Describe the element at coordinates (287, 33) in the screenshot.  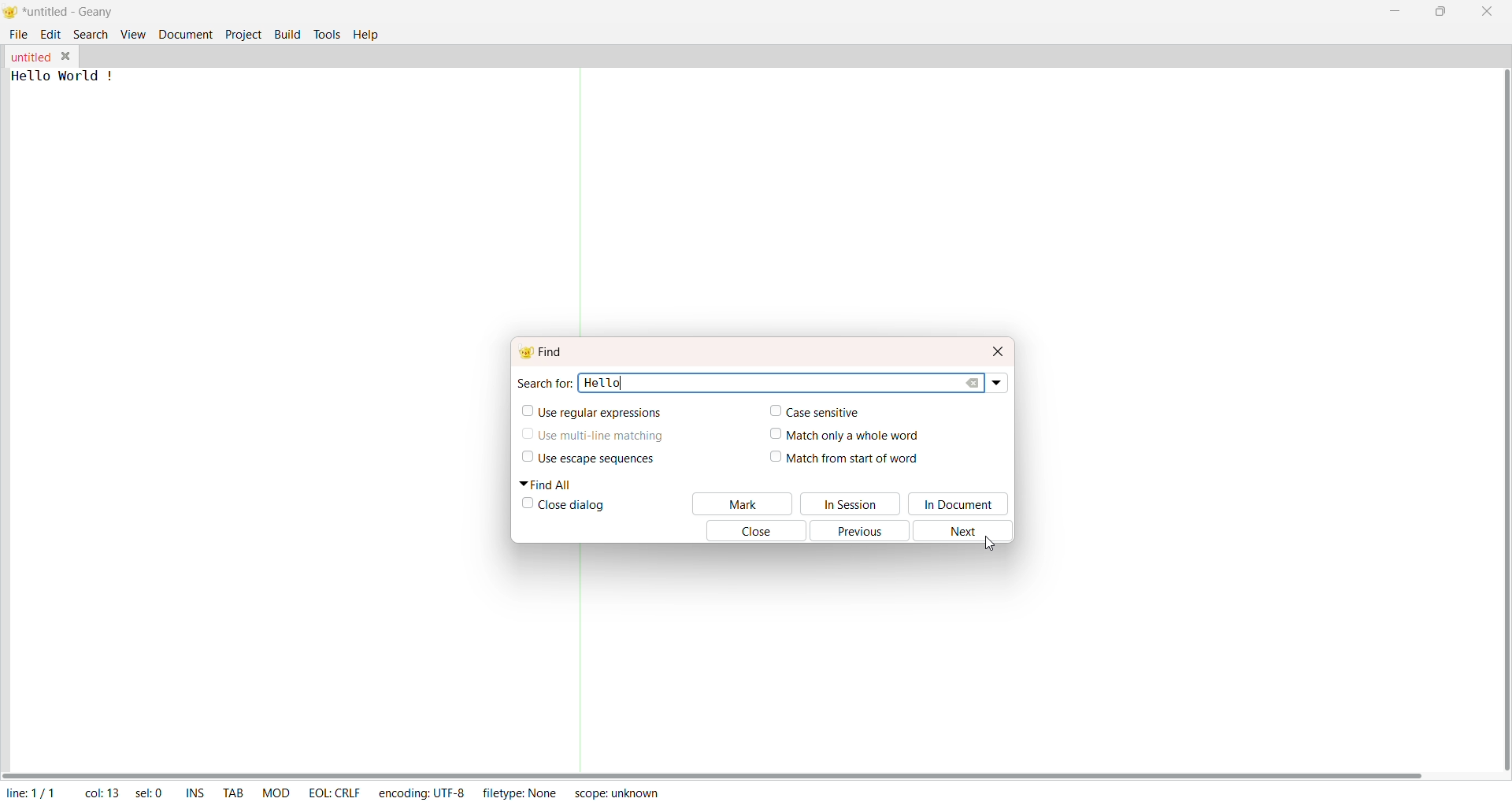
I see `Build` at that location.